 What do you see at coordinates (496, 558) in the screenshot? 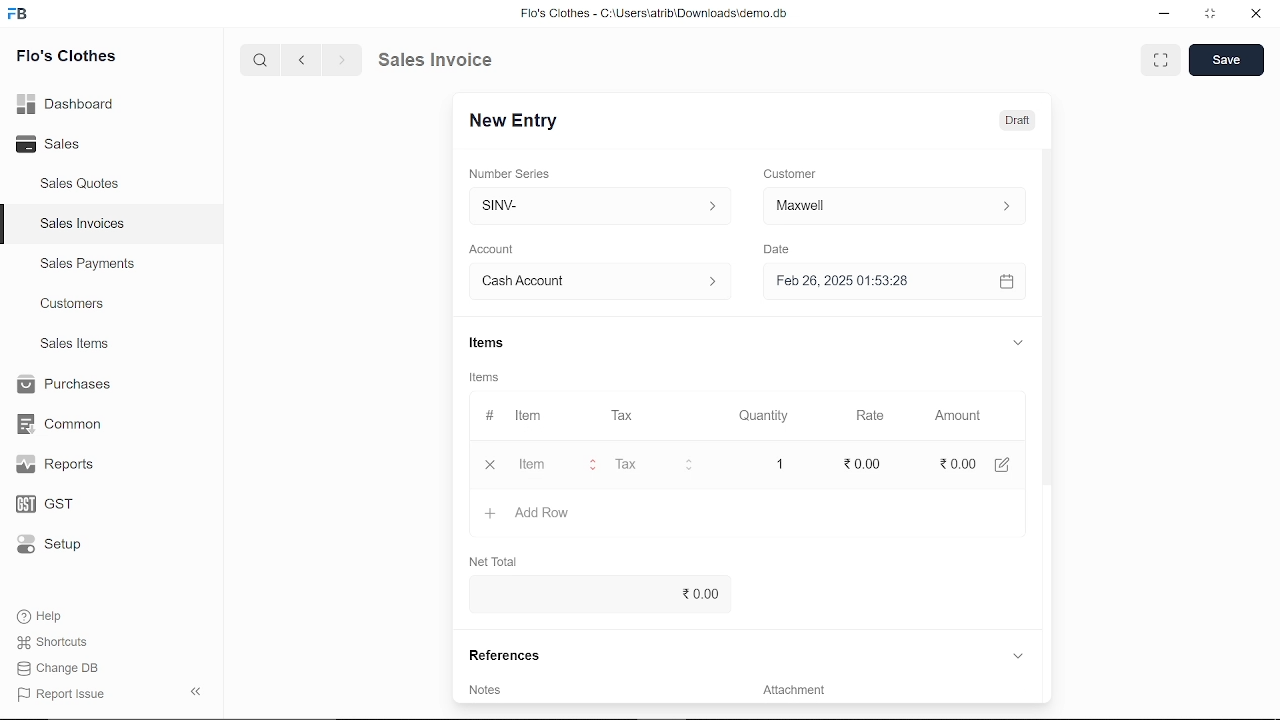
I see `Net Total` at bounding box center [496, 558].